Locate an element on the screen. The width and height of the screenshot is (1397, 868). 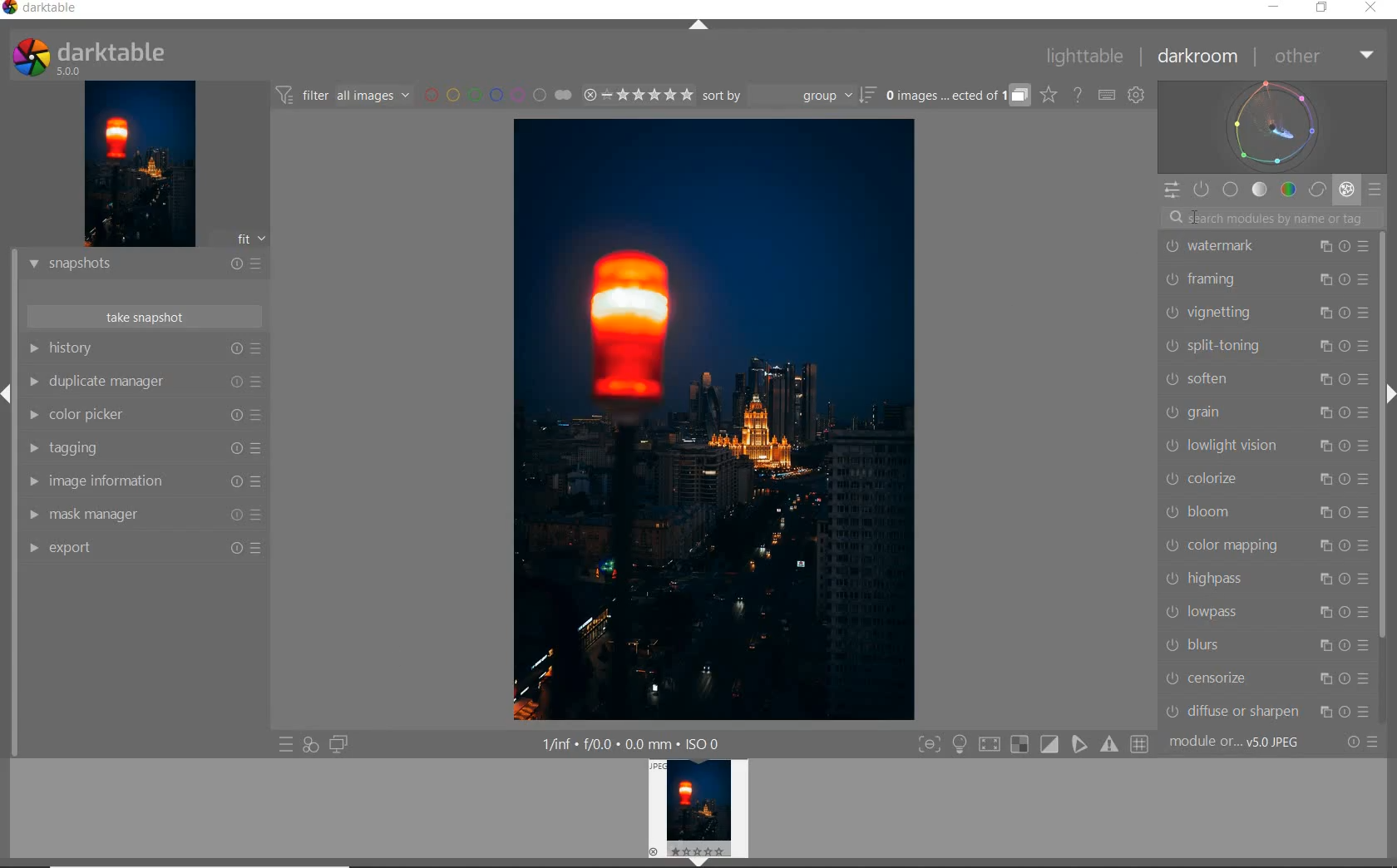
VIGNETTING is located at coordinates (1228, 313).